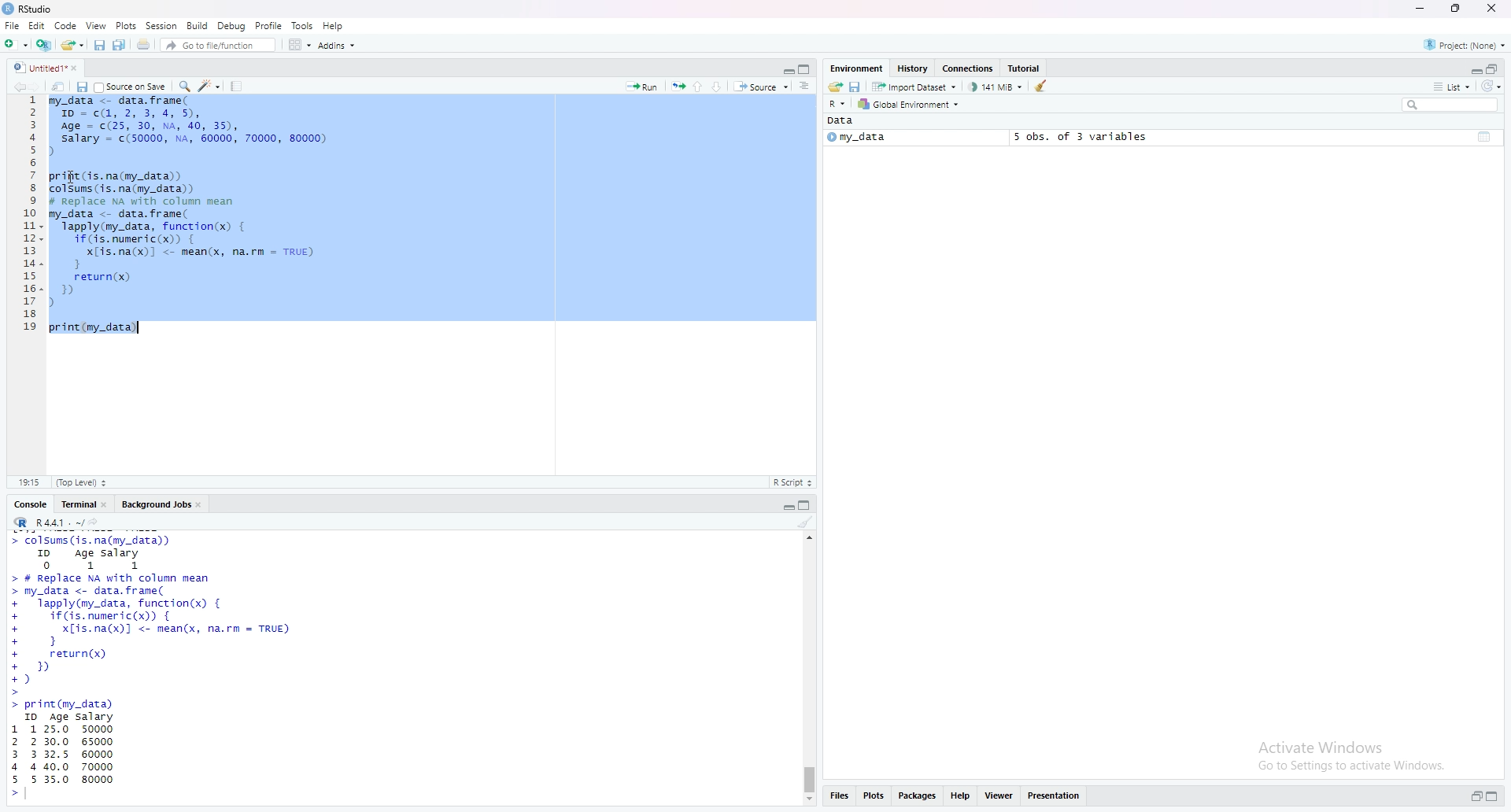  What do you see at coordinates (120, 45) in the screenshot?
I see `save all open documents` at bounding box center [120, 45].